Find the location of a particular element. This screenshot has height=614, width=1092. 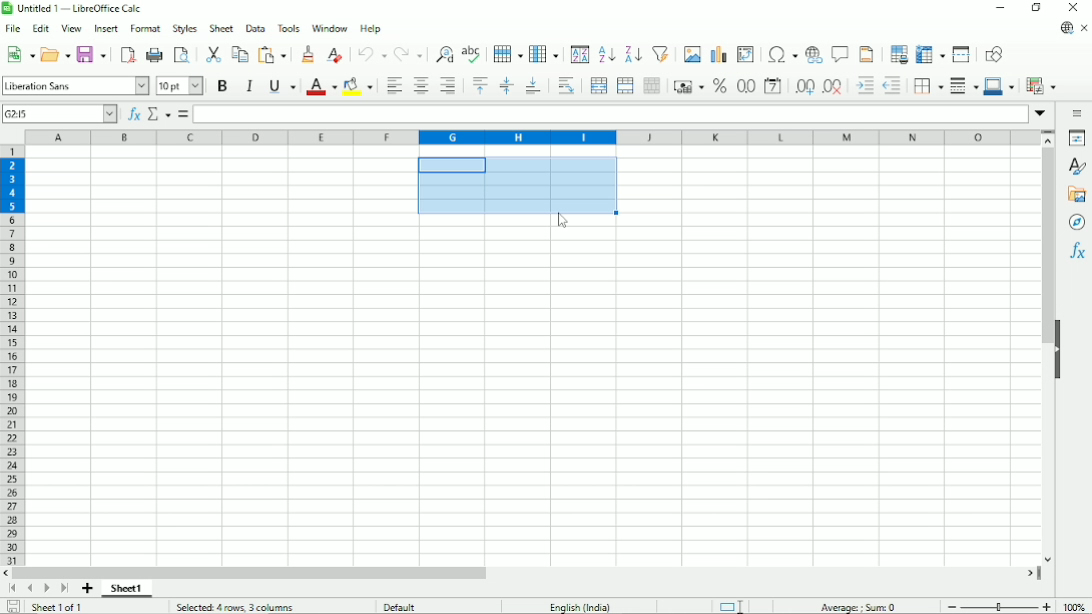

Format as currency is located at coordinates (688, 86).